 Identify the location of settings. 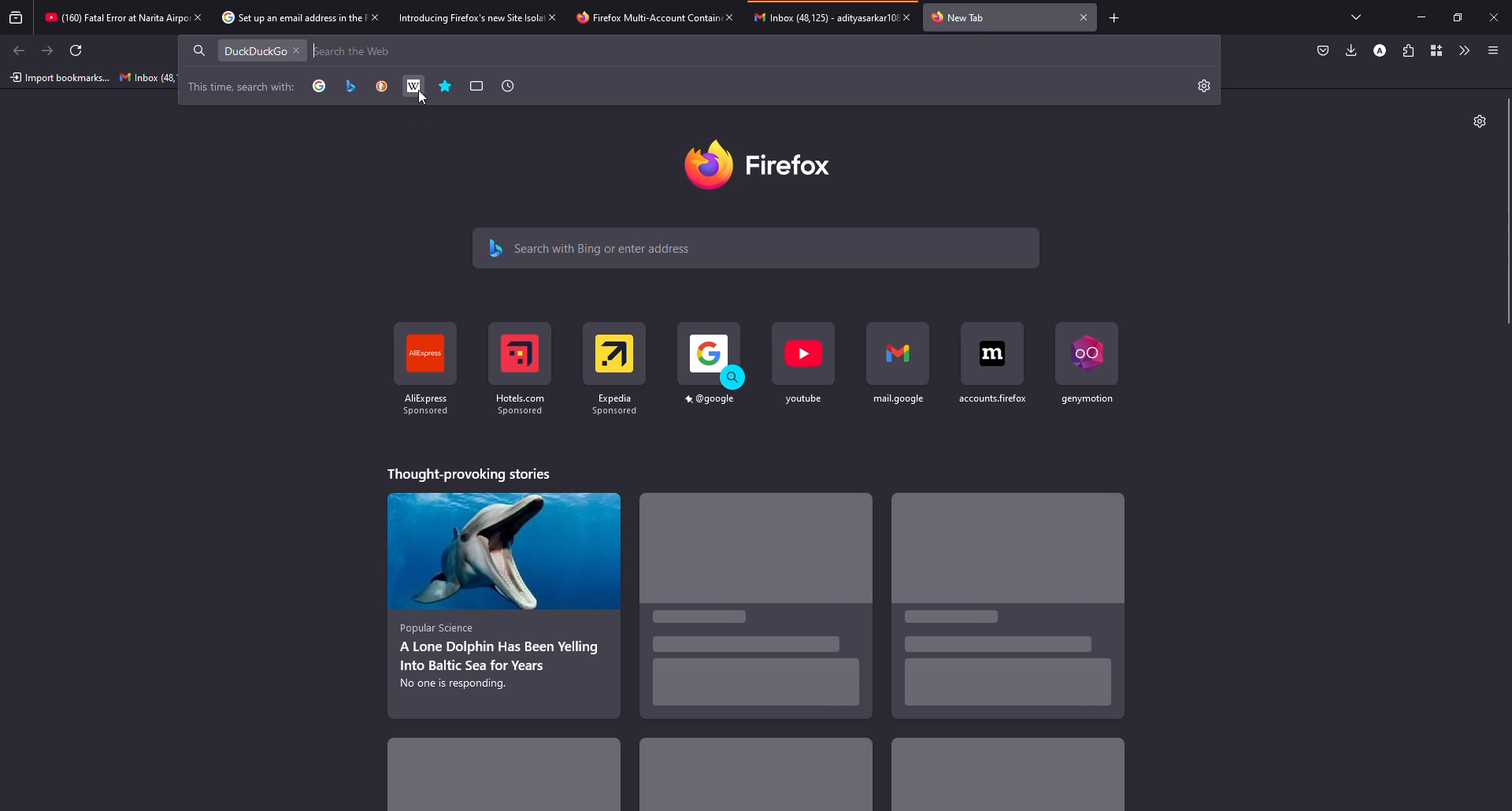
(1205, 87).